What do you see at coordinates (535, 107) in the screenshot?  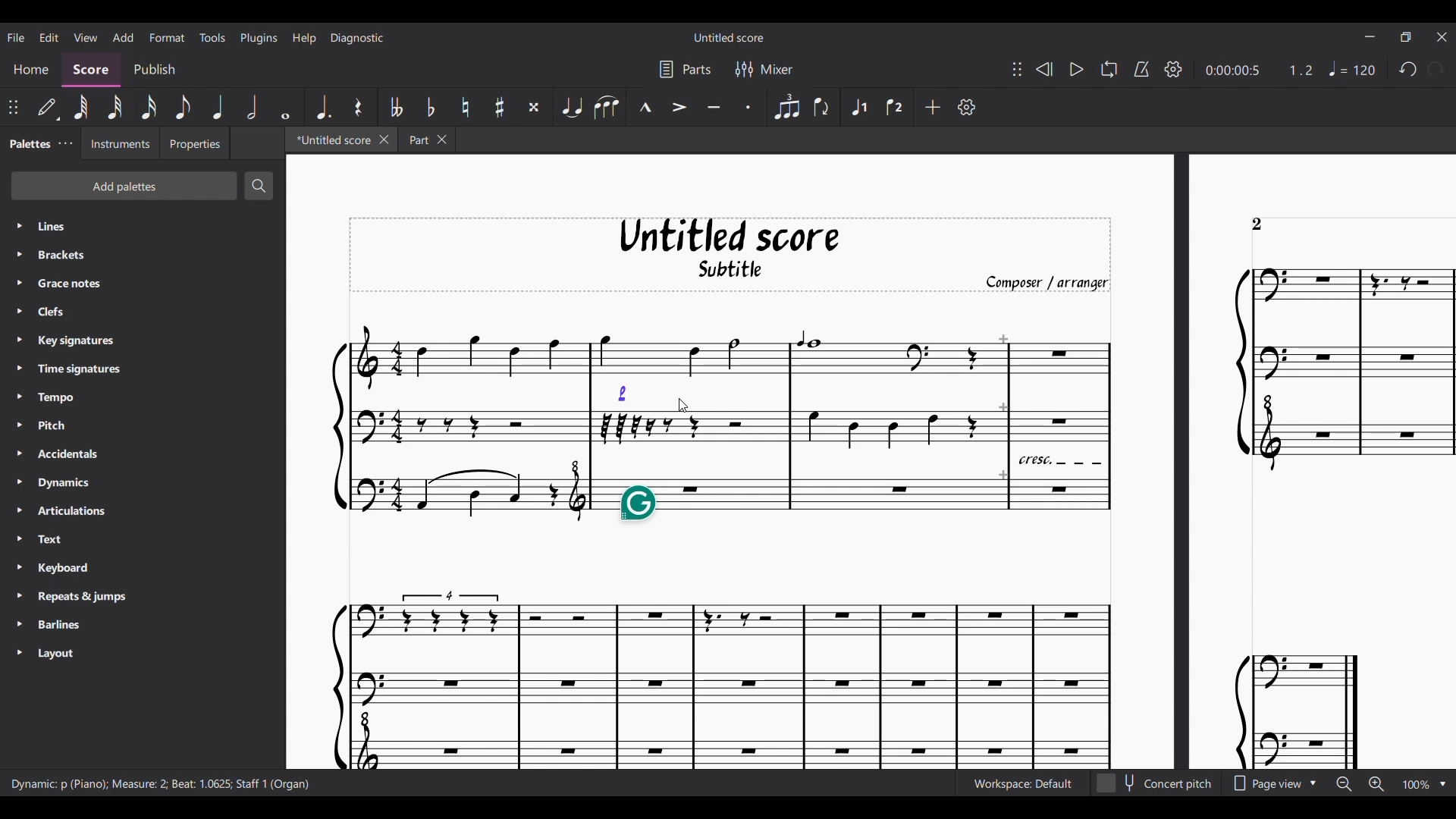 I see `Toggle double sharp` at bounding box center [535, 107].